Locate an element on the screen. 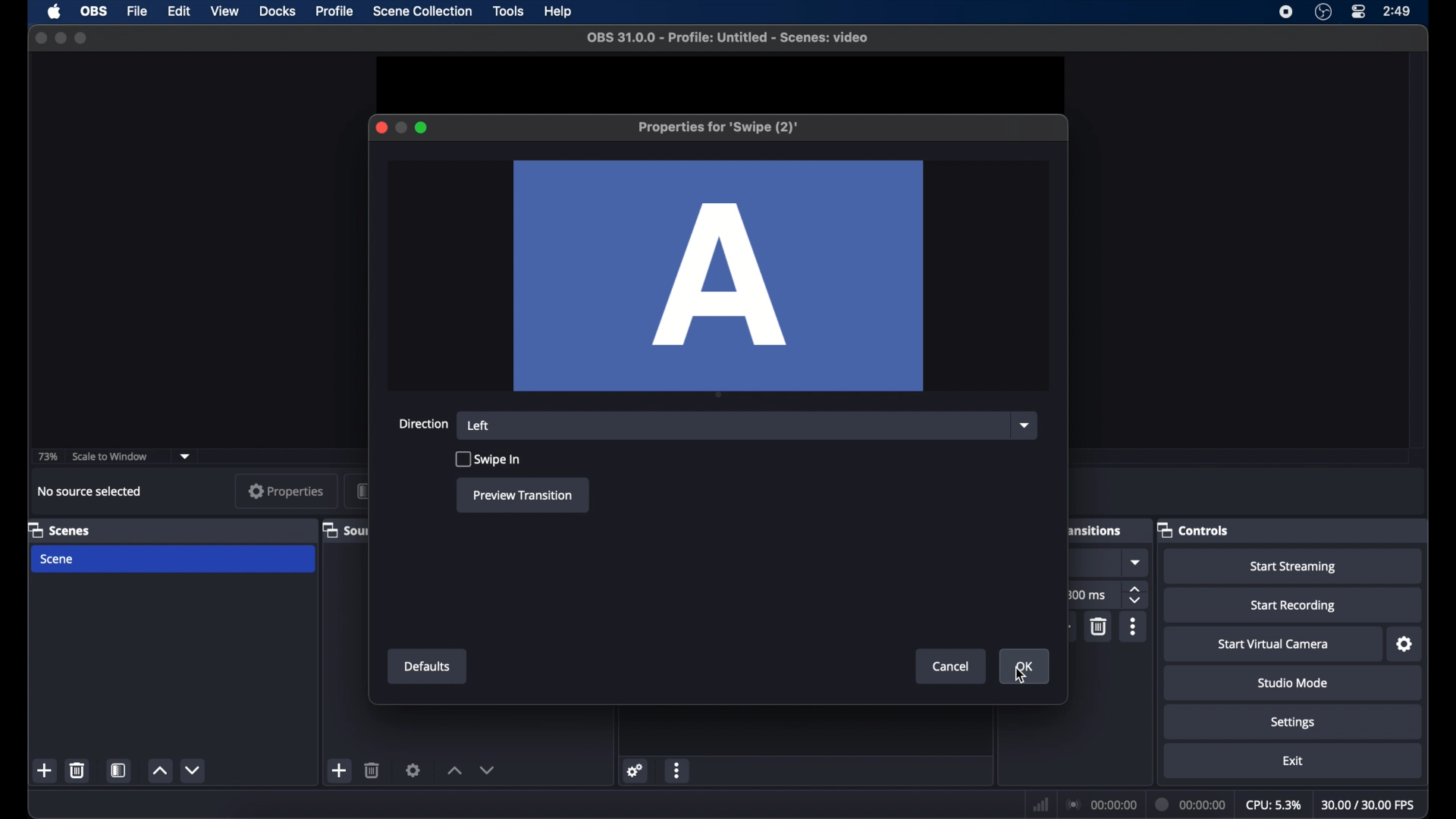 Image resolution: width=1456 pixels, height=819 pixels. properties for swipe (2) is located at coordinates (716, 127).